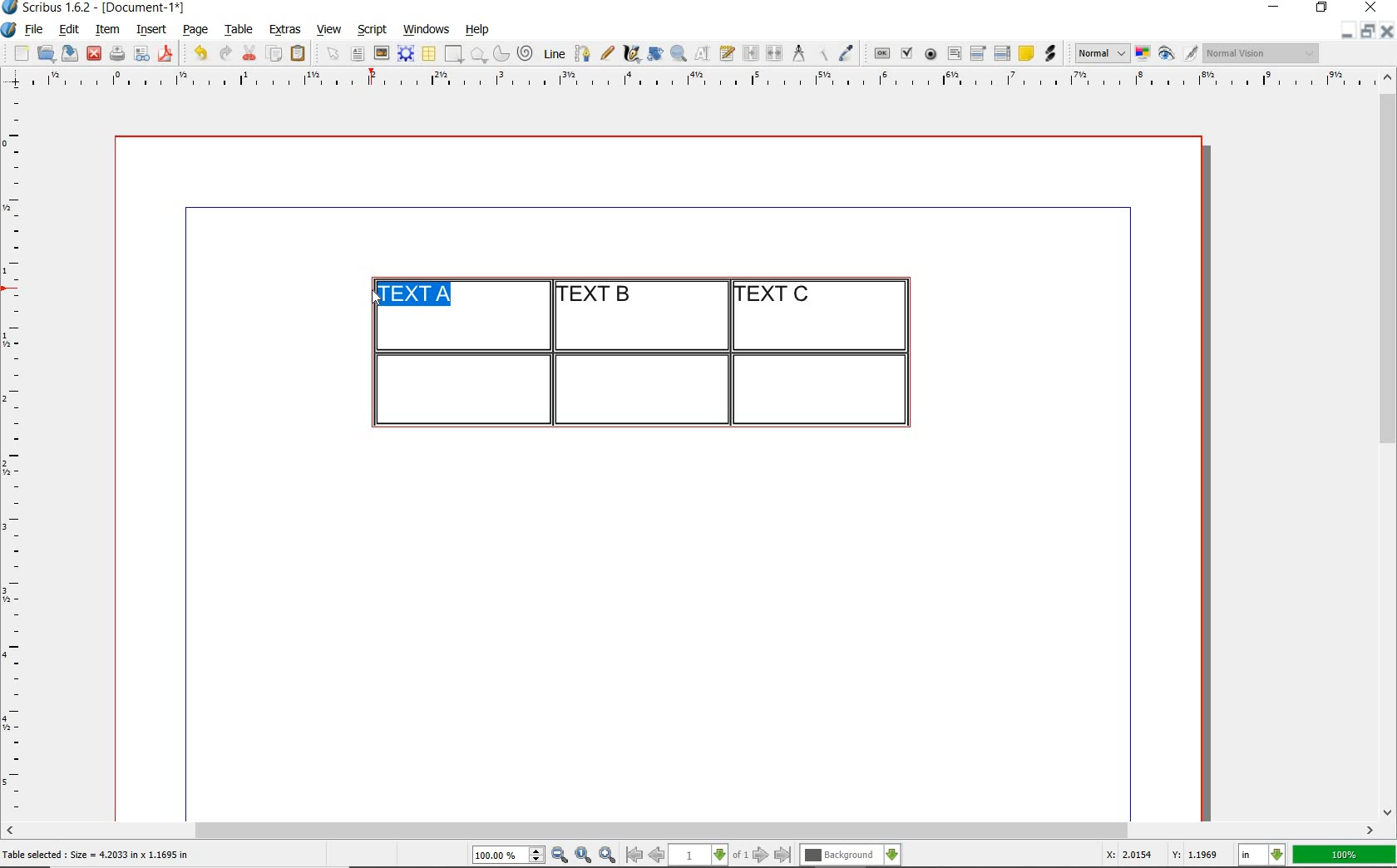  What do you see at coordinates (374, 297) in the screenshot?
I see `cursor` at bounding box center [374, 297].